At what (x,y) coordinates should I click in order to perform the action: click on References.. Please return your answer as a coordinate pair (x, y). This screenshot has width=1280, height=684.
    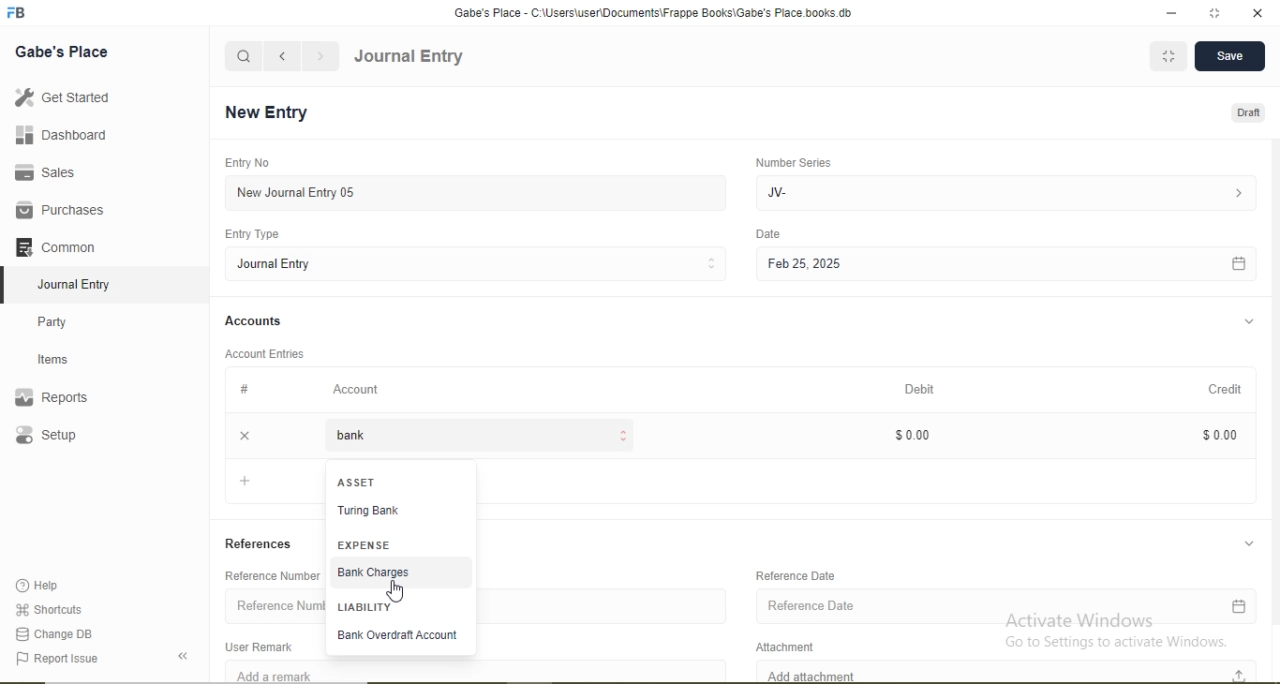
    Looking at the image, I should click on (259, 543).